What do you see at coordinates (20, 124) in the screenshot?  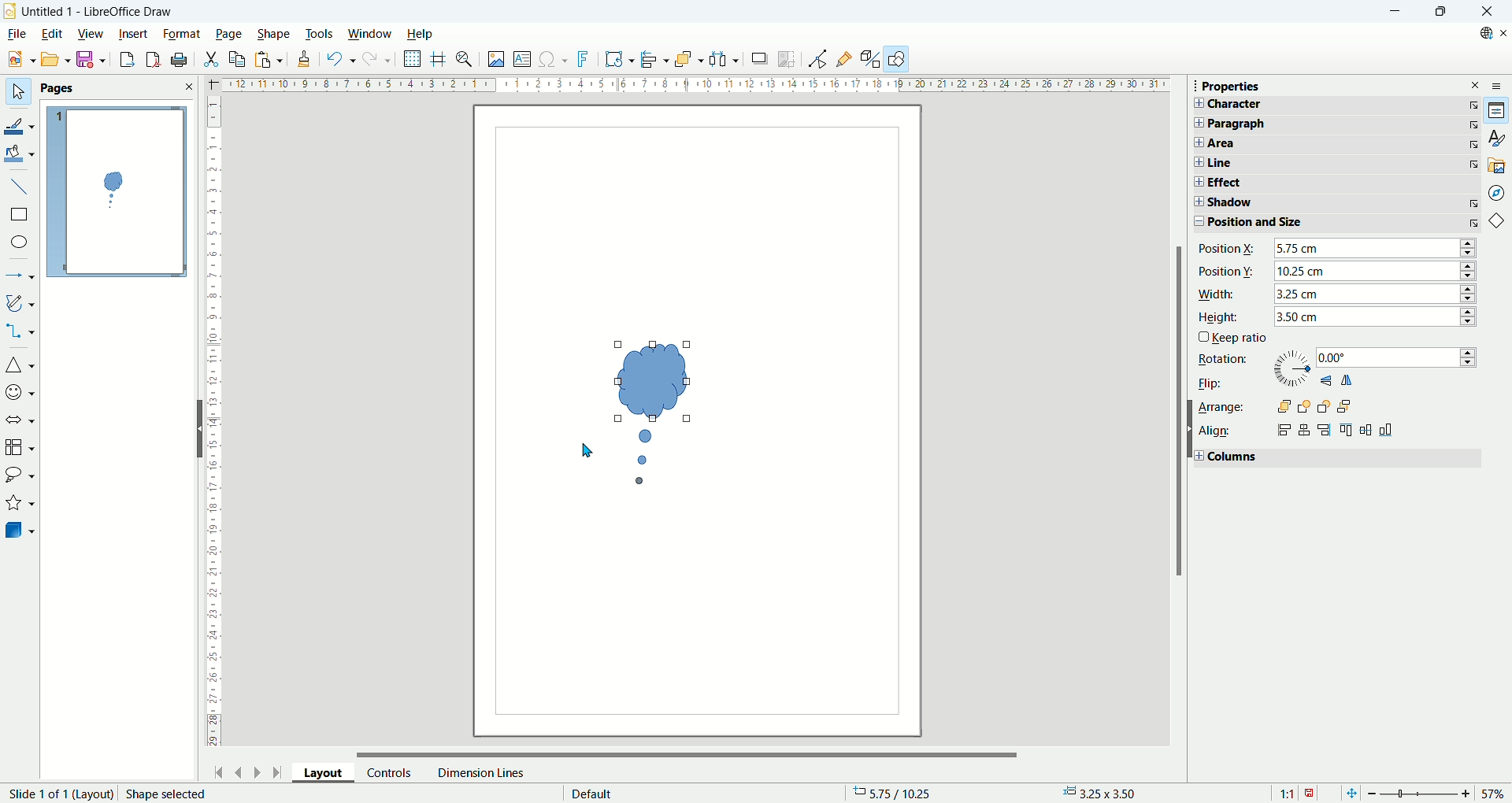 I see `line color` at bounding box center [20, 124].